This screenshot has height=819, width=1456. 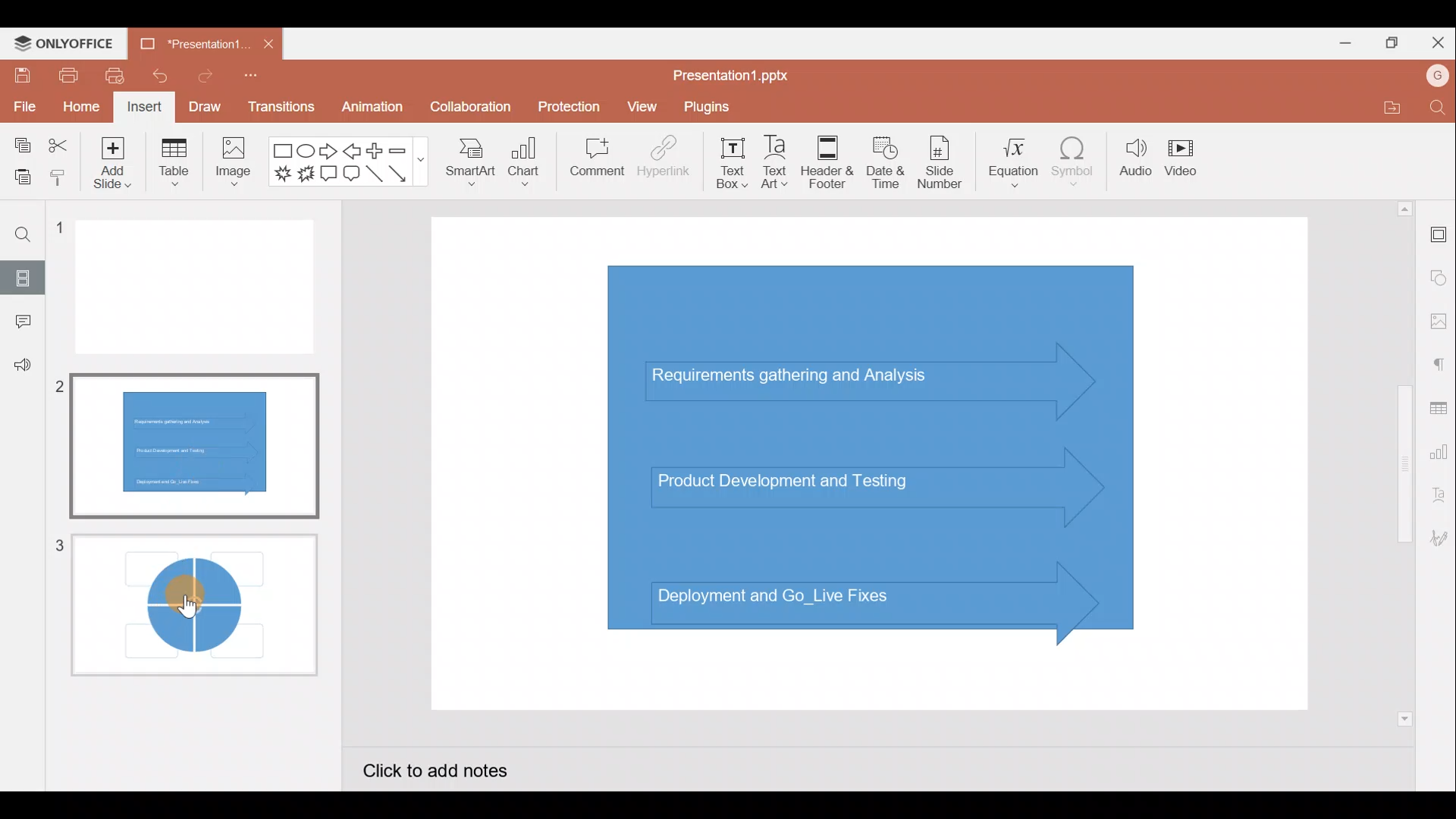 What do you see at coordinates (58, 142) in the screenshot?
I see `Cut` at bounding box center [58, 142].